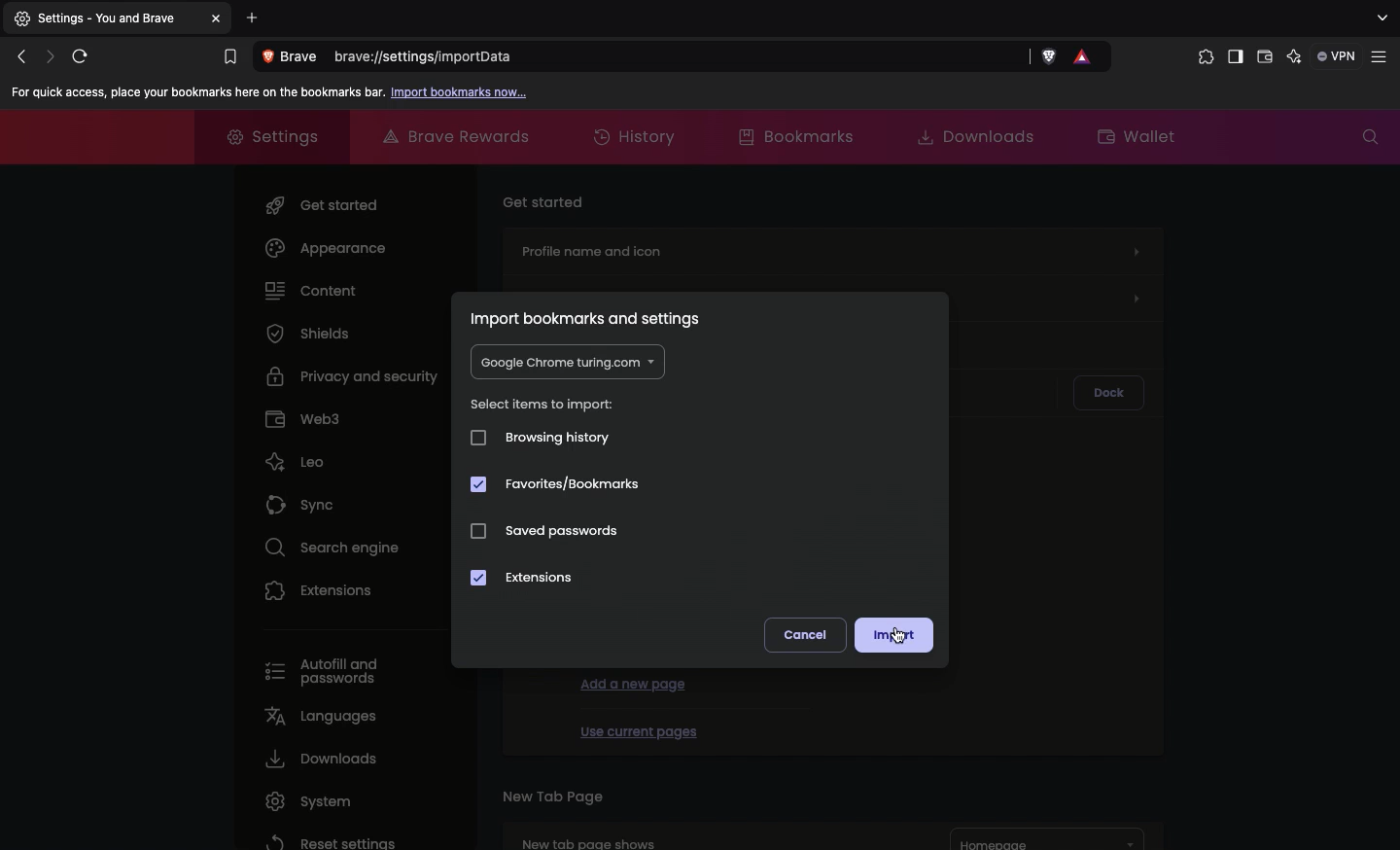 The width and height of the screenshot is (1400, 850). What do you see at coordinates (552, 795) in the screenshot?
I see `New tab page` at bounding box center [552, 795].